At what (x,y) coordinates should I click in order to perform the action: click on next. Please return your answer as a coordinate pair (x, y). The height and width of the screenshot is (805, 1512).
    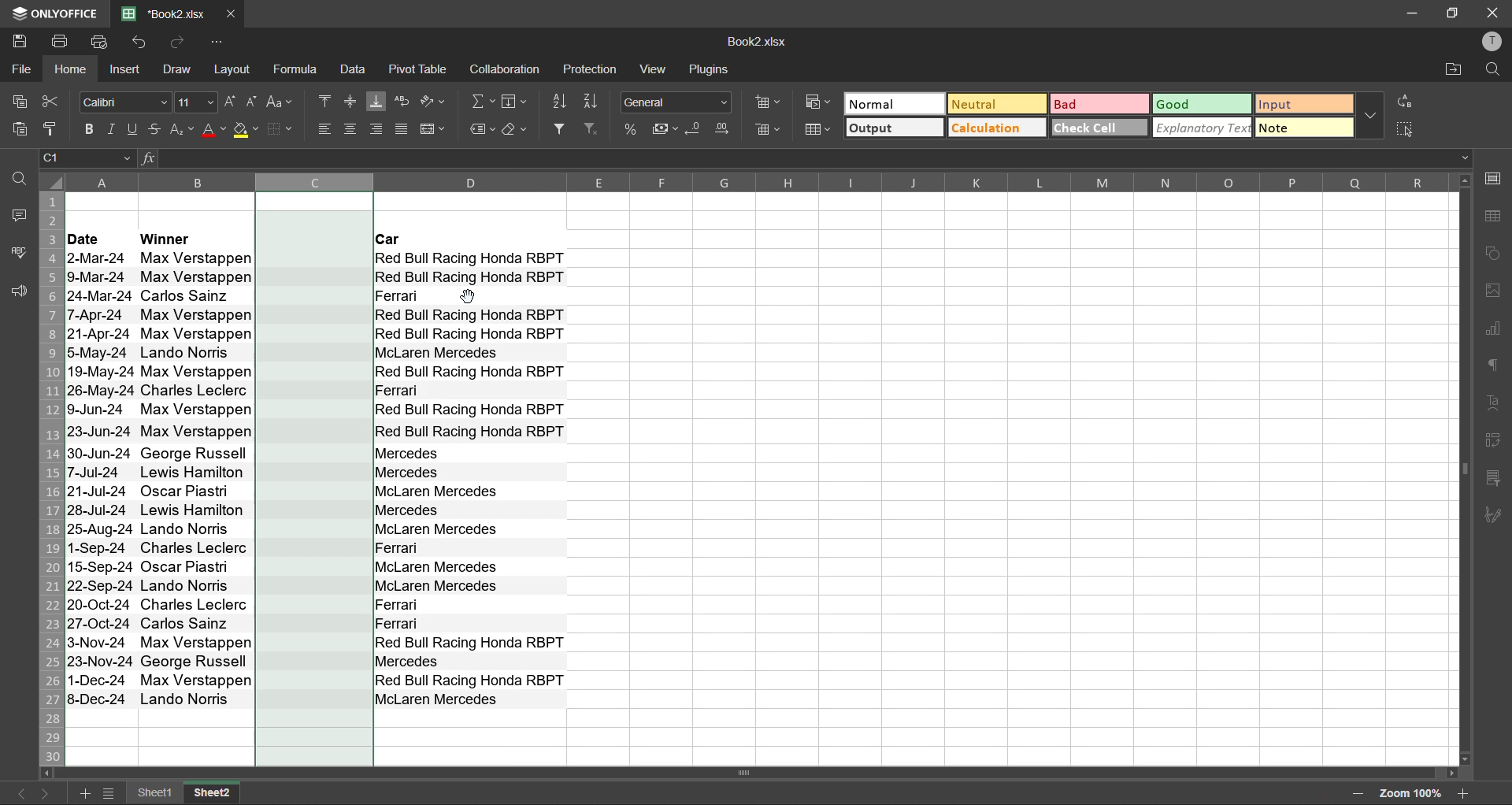
    Looking at the image, I should click on (50, 794).